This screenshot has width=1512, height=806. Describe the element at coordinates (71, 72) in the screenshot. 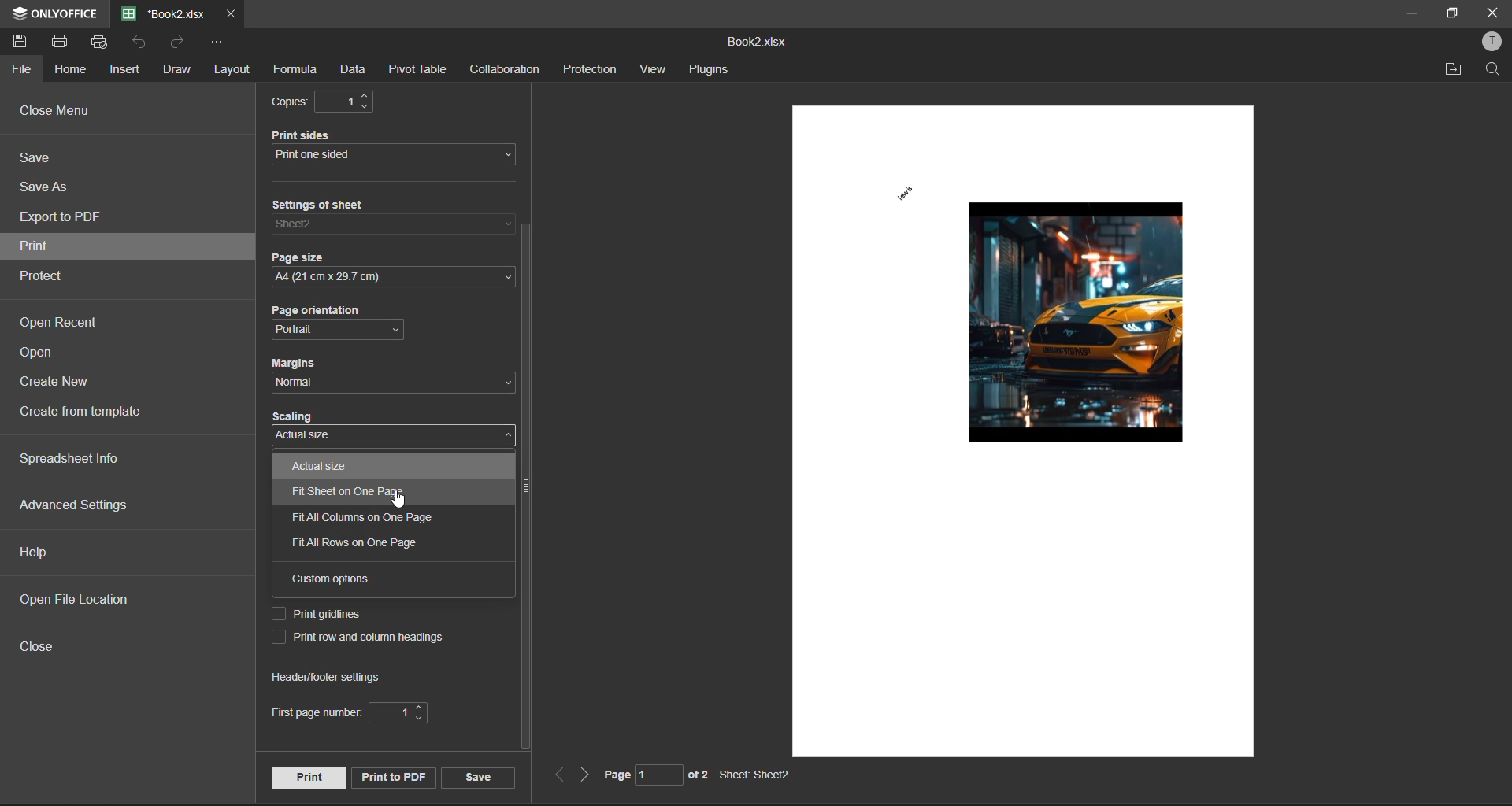

I see `home` at that location.